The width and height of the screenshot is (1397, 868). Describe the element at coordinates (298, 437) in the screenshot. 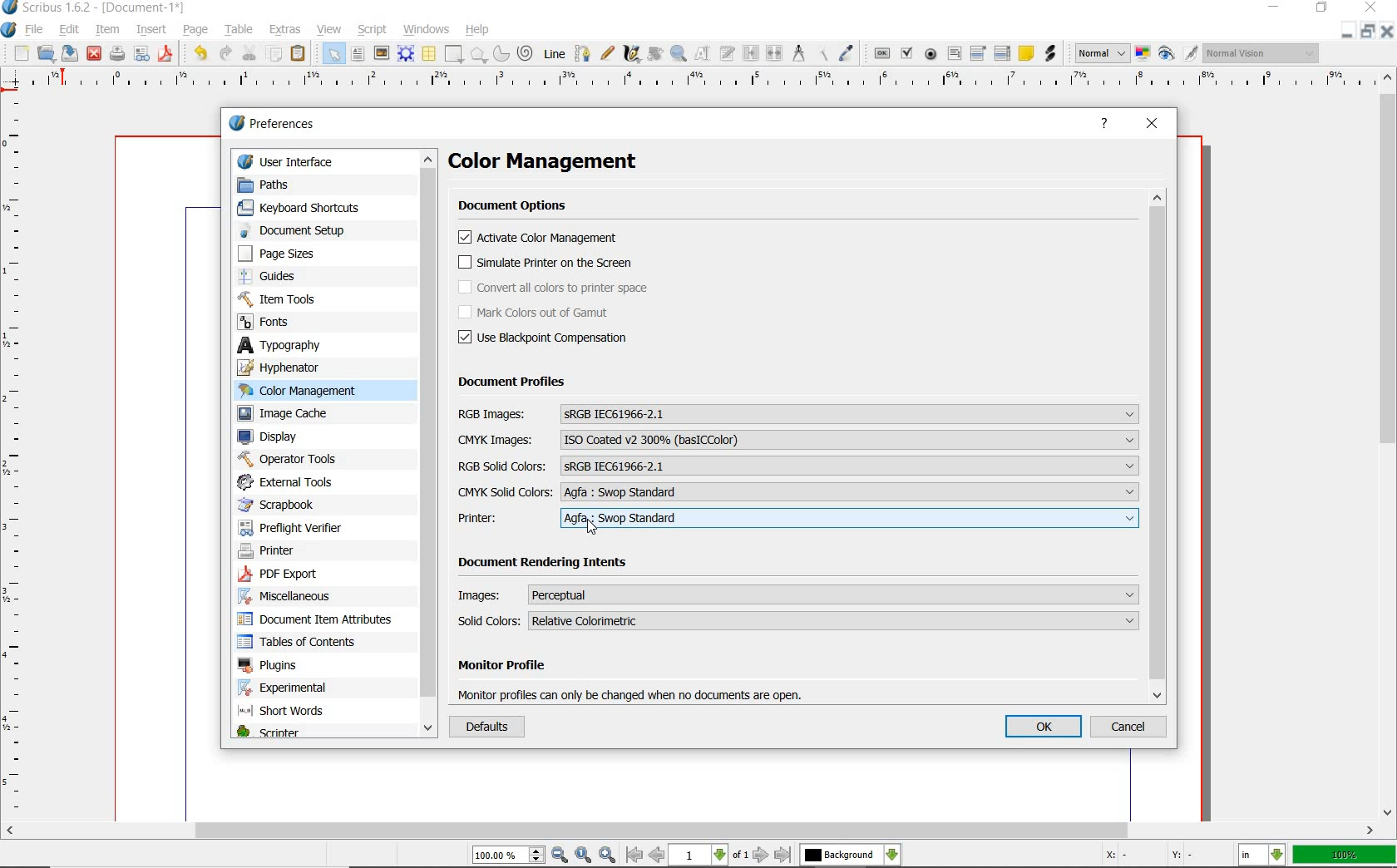

I see `display` at that location.